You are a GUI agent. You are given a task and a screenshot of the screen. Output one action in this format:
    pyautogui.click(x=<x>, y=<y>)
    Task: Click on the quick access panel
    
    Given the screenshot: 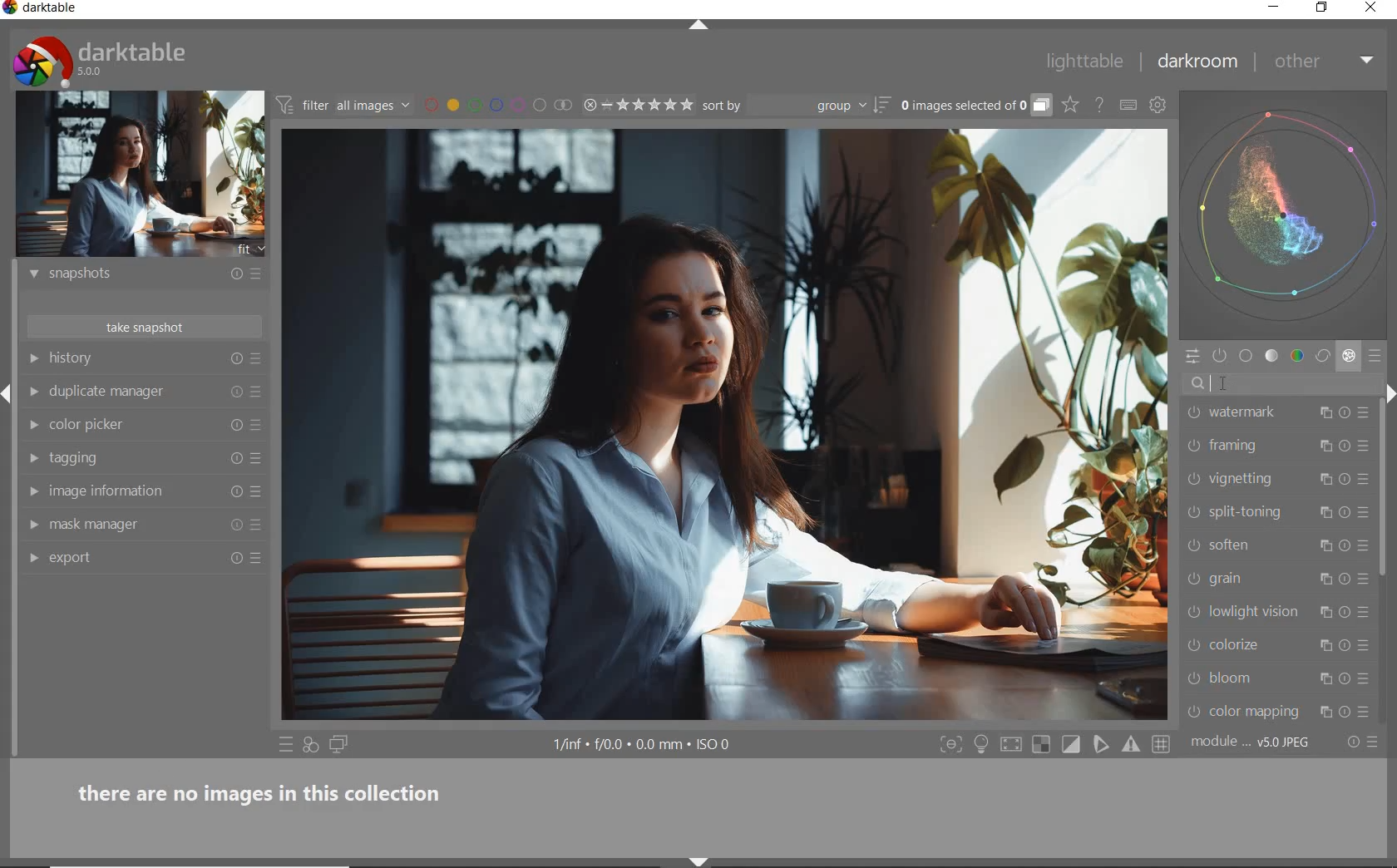 What is the action you would take?
    pyautogui.click(x=1192, y=356)
    